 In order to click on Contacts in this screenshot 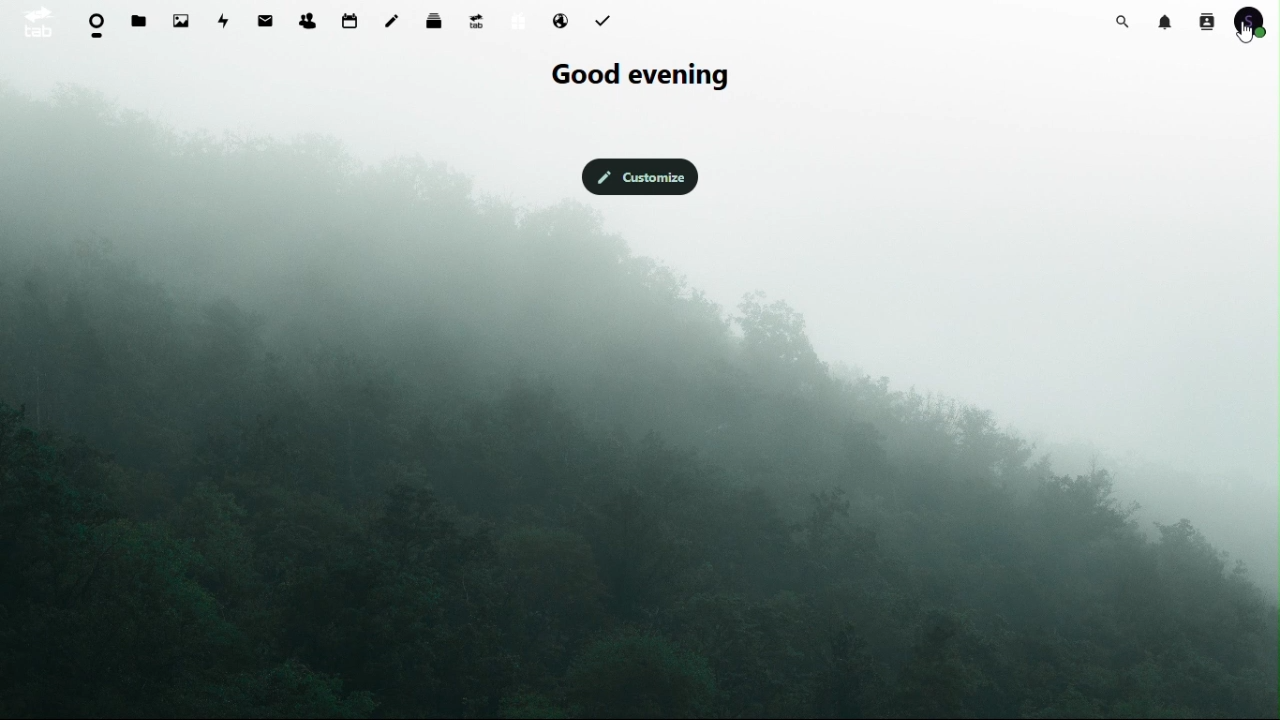, I will do `click(1206, 20)`.